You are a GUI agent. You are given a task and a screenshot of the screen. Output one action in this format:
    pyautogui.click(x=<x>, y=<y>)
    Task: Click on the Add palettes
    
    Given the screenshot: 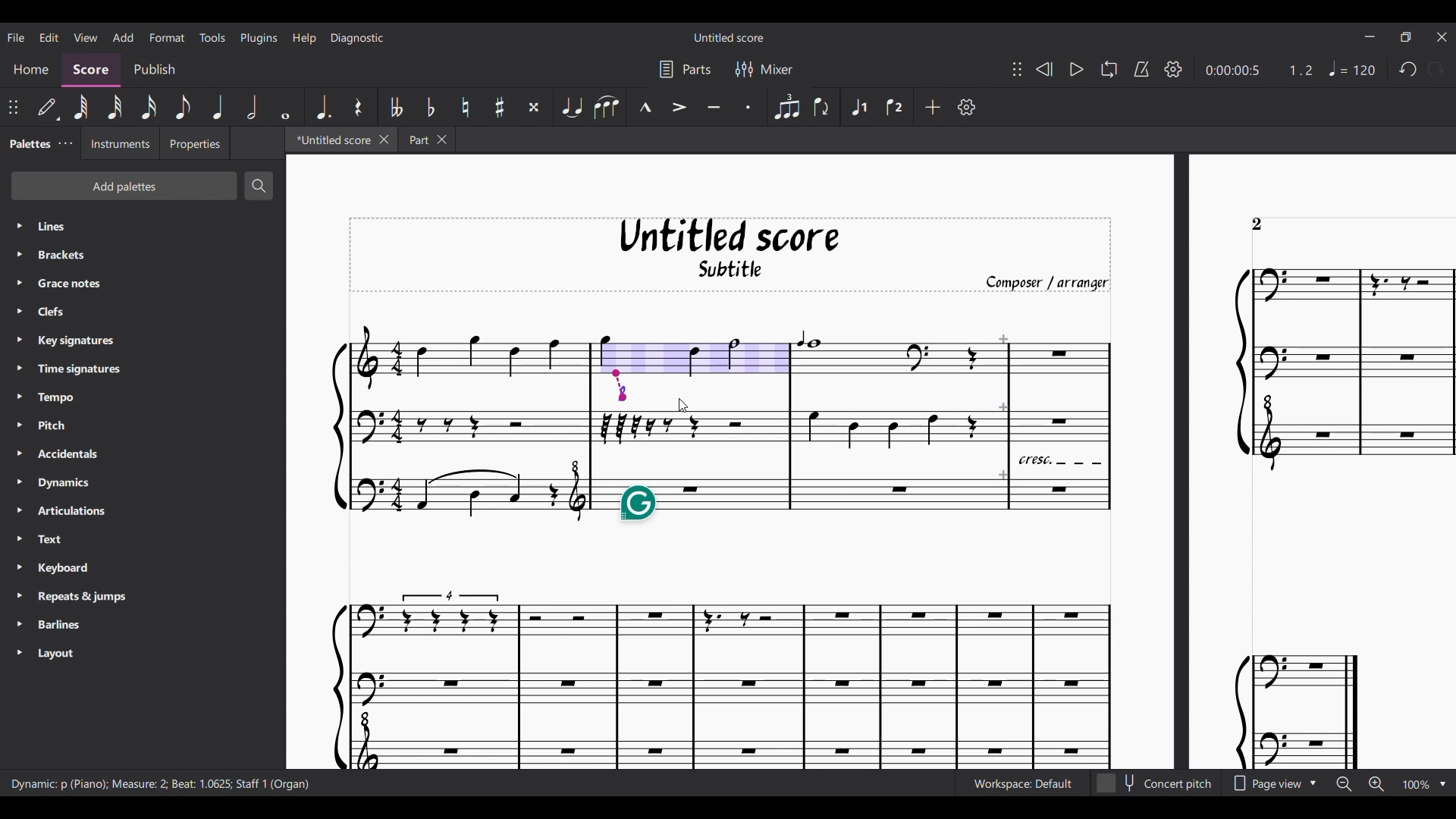 What is the action you would take?
    pyautogui.click(x=124, y=186)
    